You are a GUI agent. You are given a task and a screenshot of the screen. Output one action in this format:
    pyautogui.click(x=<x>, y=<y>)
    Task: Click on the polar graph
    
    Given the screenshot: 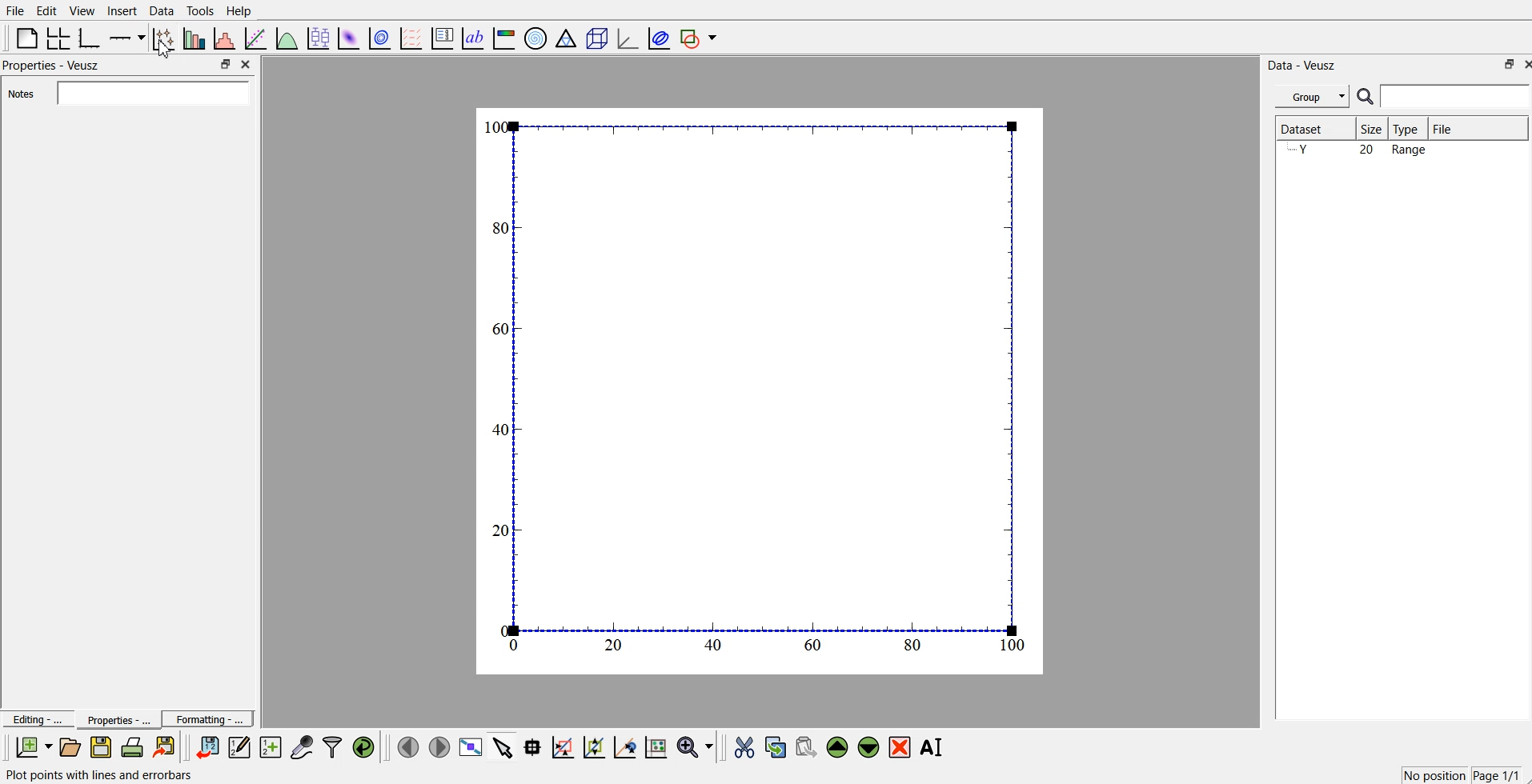 What is the action you would take?
    pyautogui.click(x=537, y=37)
    